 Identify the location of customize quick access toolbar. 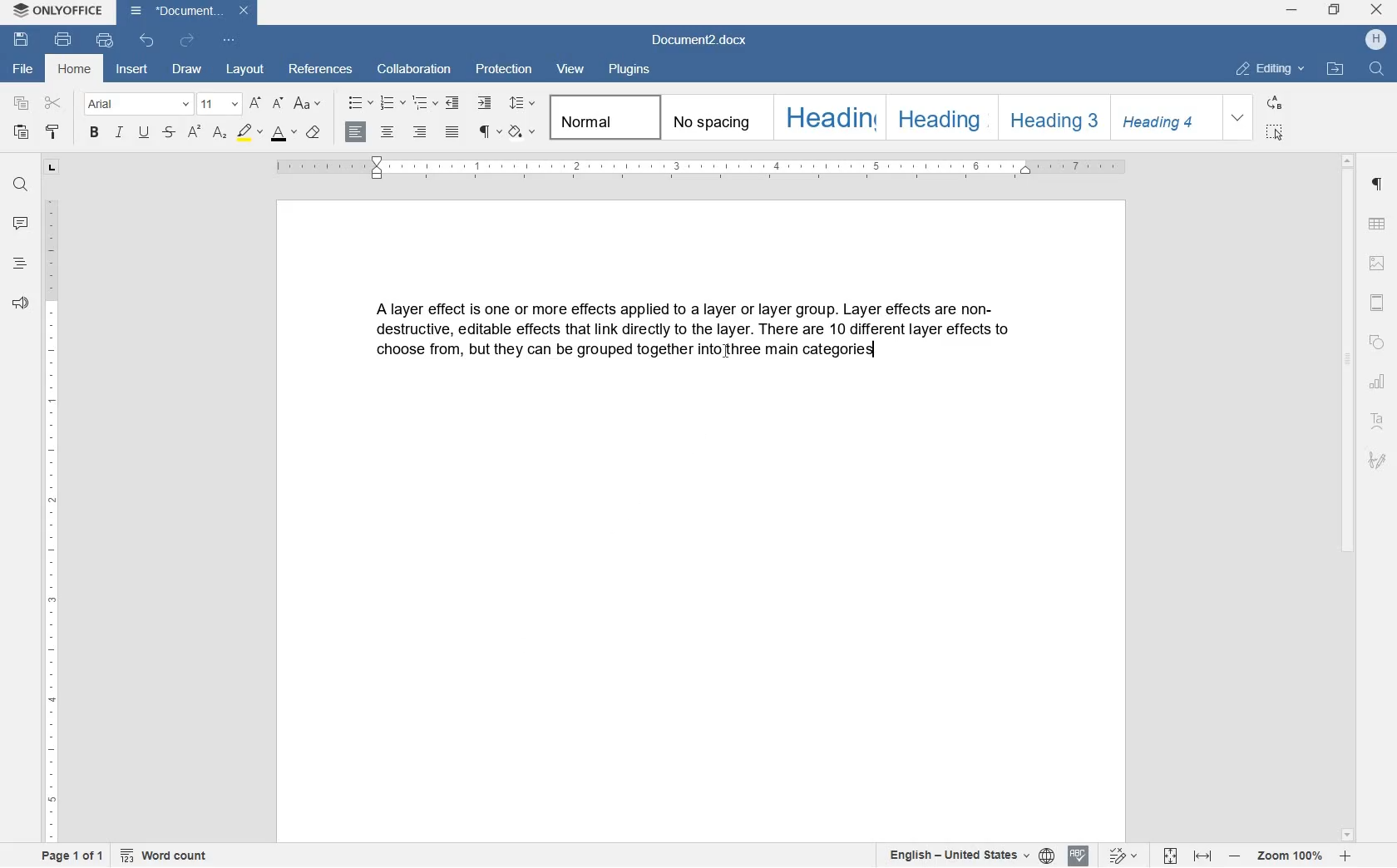
(230, 43).